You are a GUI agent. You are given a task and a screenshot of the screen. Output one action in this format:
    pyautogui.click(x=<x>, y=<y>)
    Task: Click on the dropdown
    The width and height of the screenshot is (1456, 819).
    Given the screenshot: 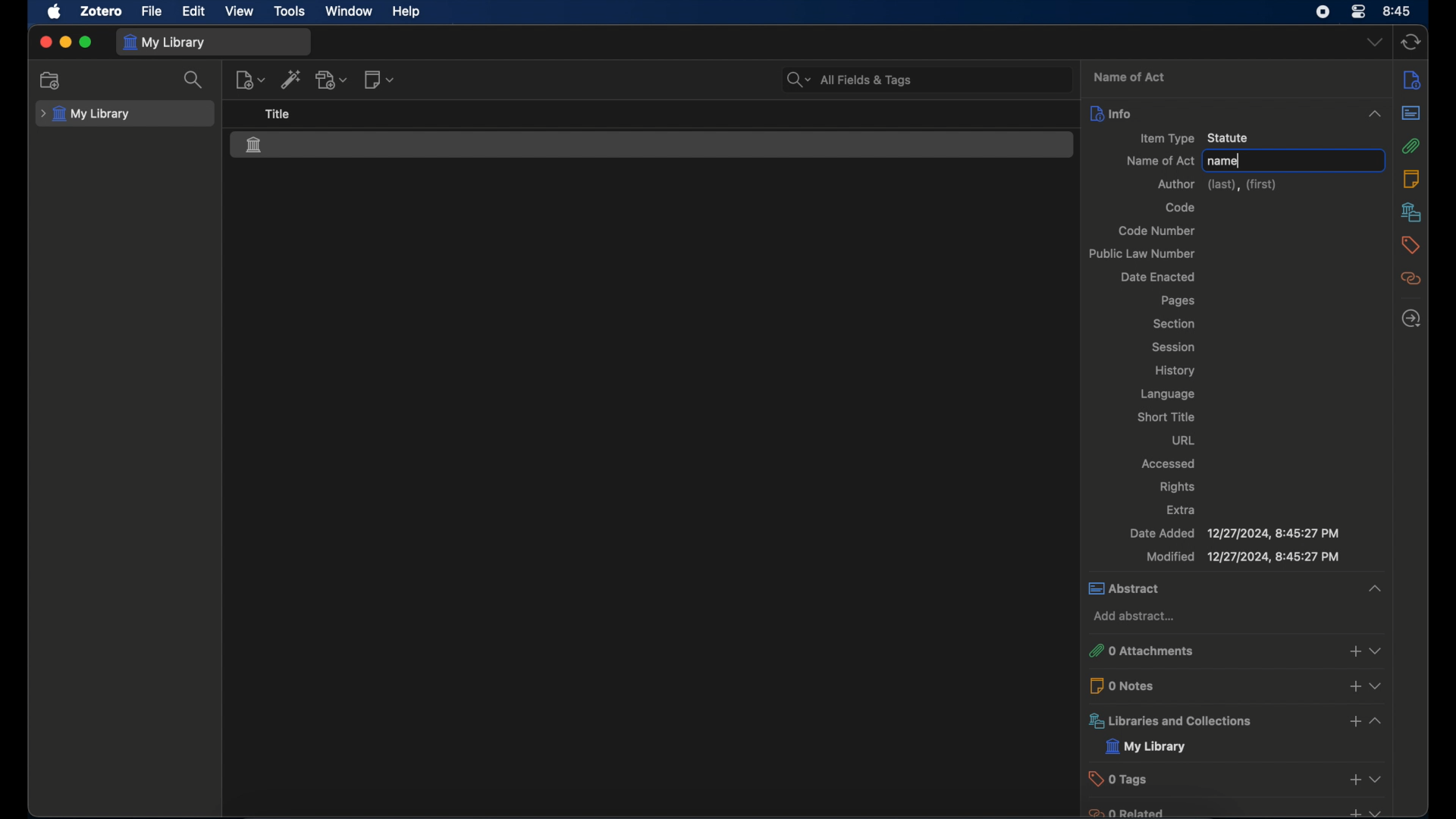 What is the action you would take?
    pyautogui.click(x=1376, y=686)
    